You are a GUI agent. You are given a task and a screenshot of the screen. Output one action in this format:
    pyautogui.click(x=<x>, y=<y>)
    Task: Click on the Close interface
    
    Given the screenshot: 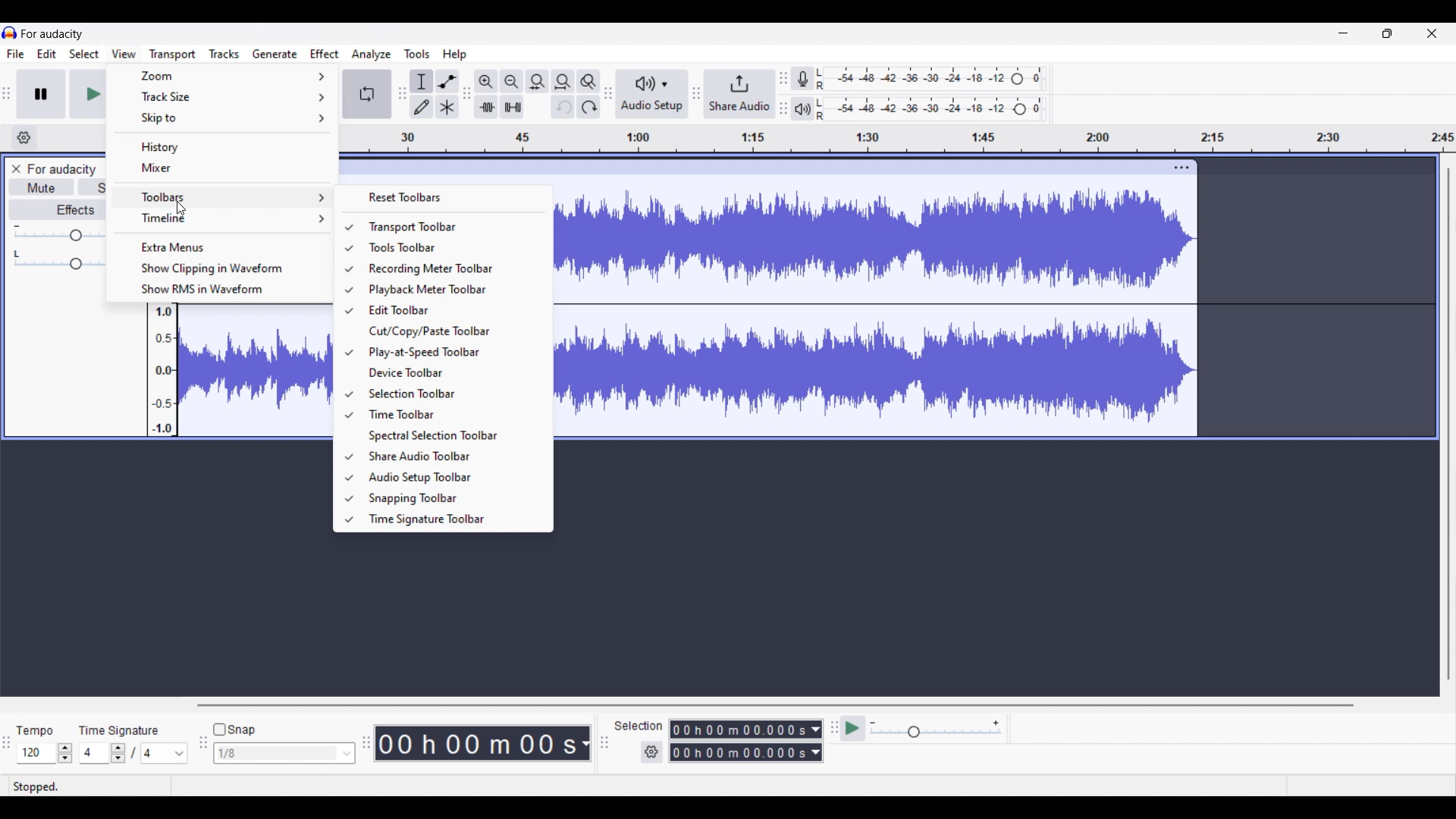 What is the action you would take?
    pyautogui.click(x=1432, y=33)
    